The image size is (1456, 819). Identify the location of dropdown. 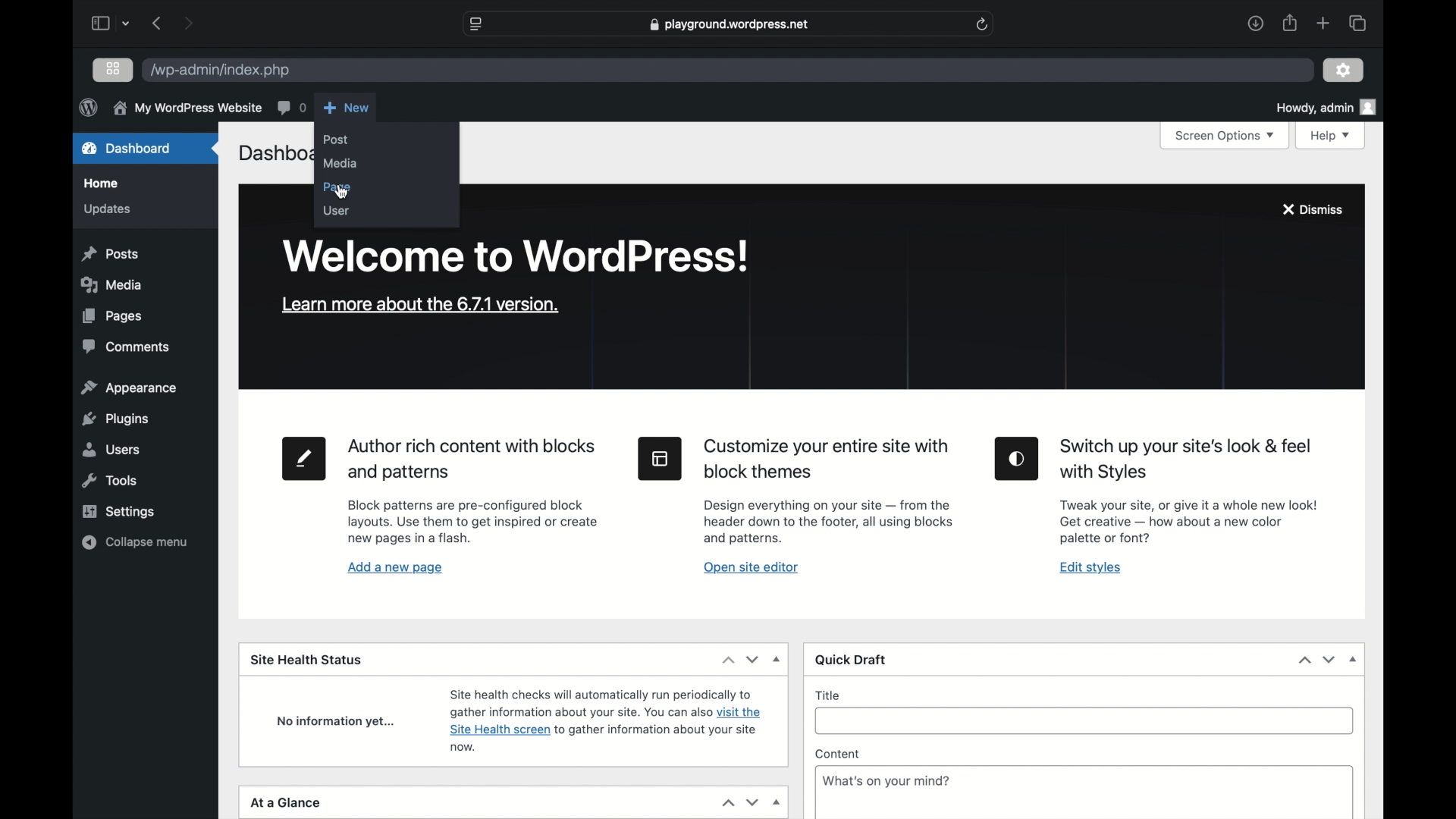
(1354, 660).